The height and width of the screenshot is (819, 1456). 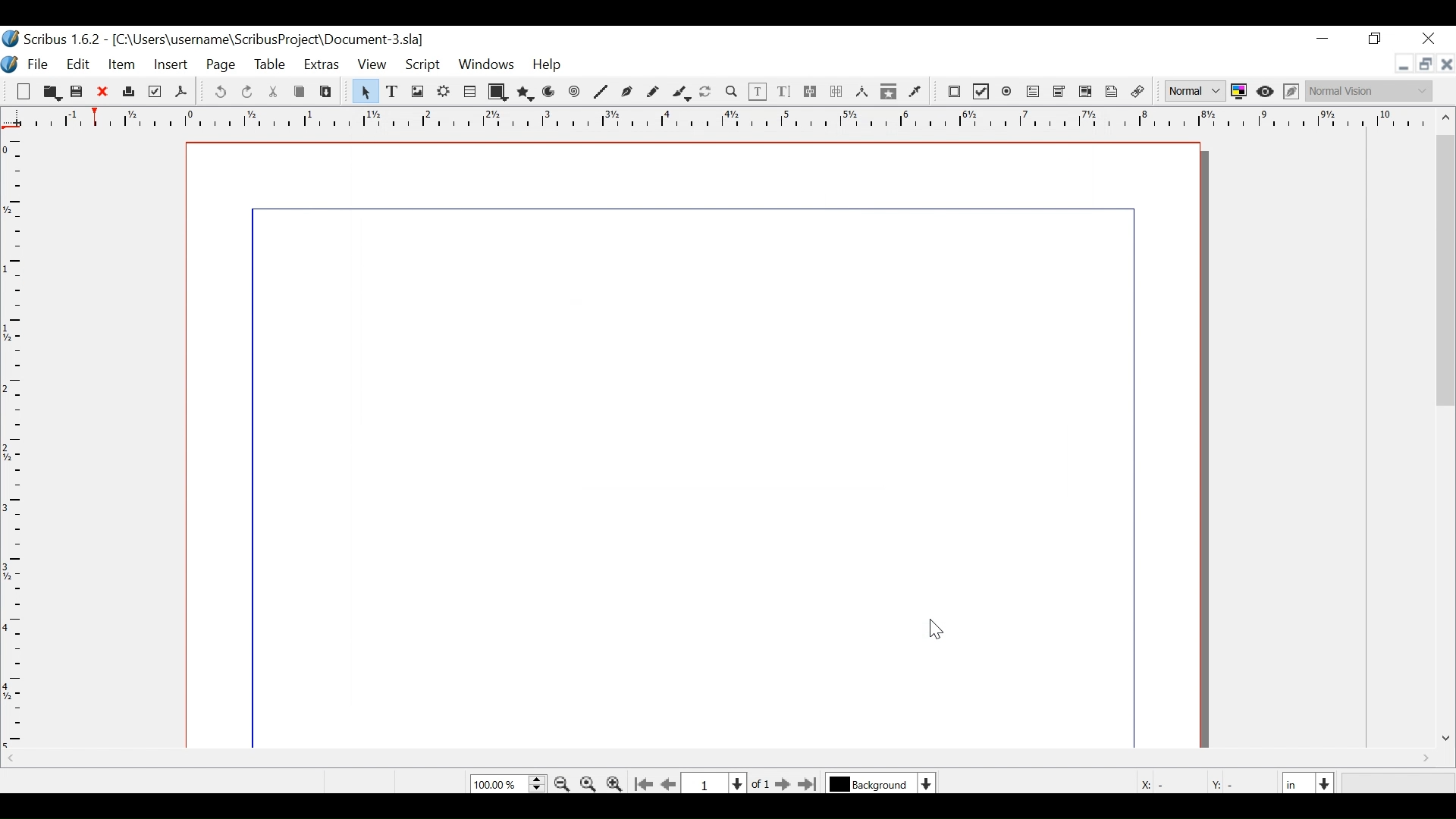 I want to click on Text Frame, so click(x=393, y=91).